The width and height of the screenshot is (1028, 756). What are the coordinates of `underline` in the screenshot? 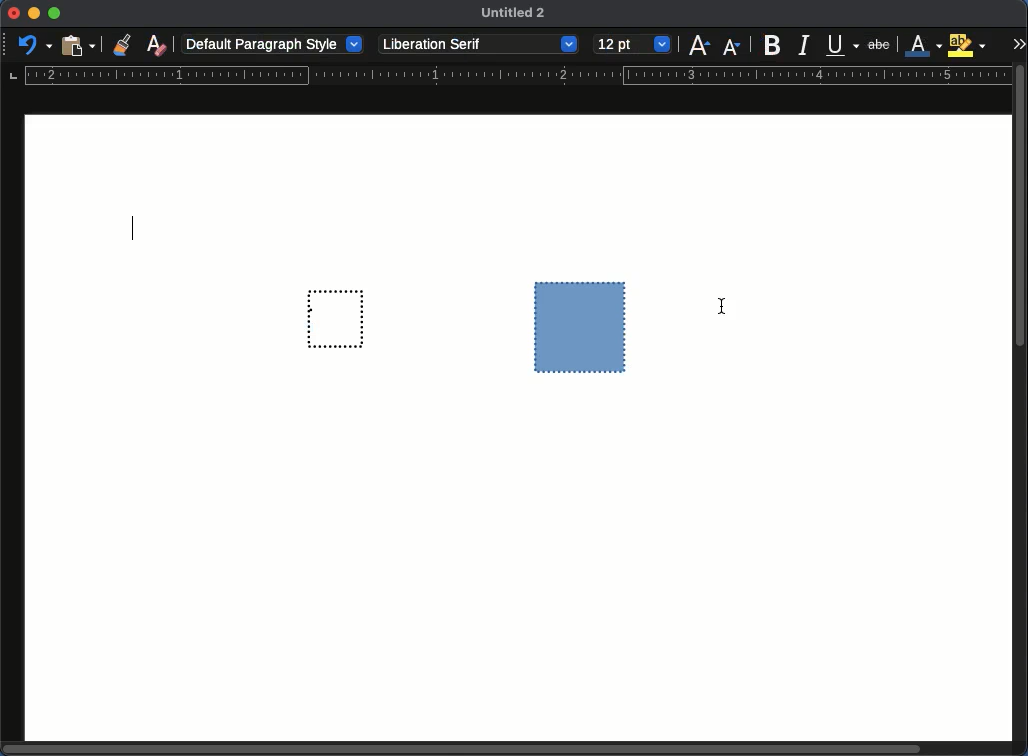 It's located at (844, 47).